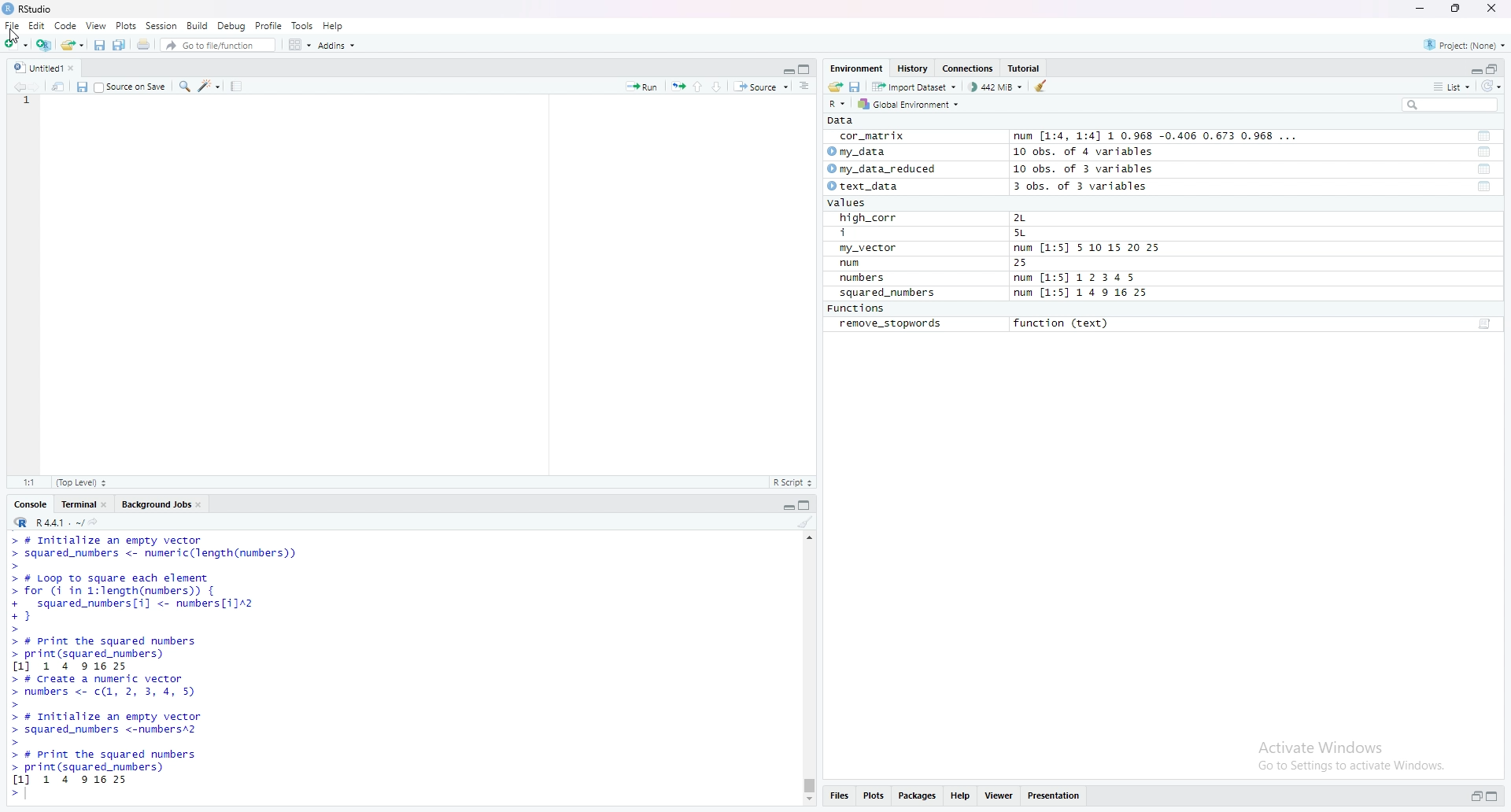 Image resolution: width=1511 pixels, height=812 pixels. What do you see at coordinates (43, 524) in the screenshot?
I see `R 4.4.1 ~/` at bounding box center [43, 524].